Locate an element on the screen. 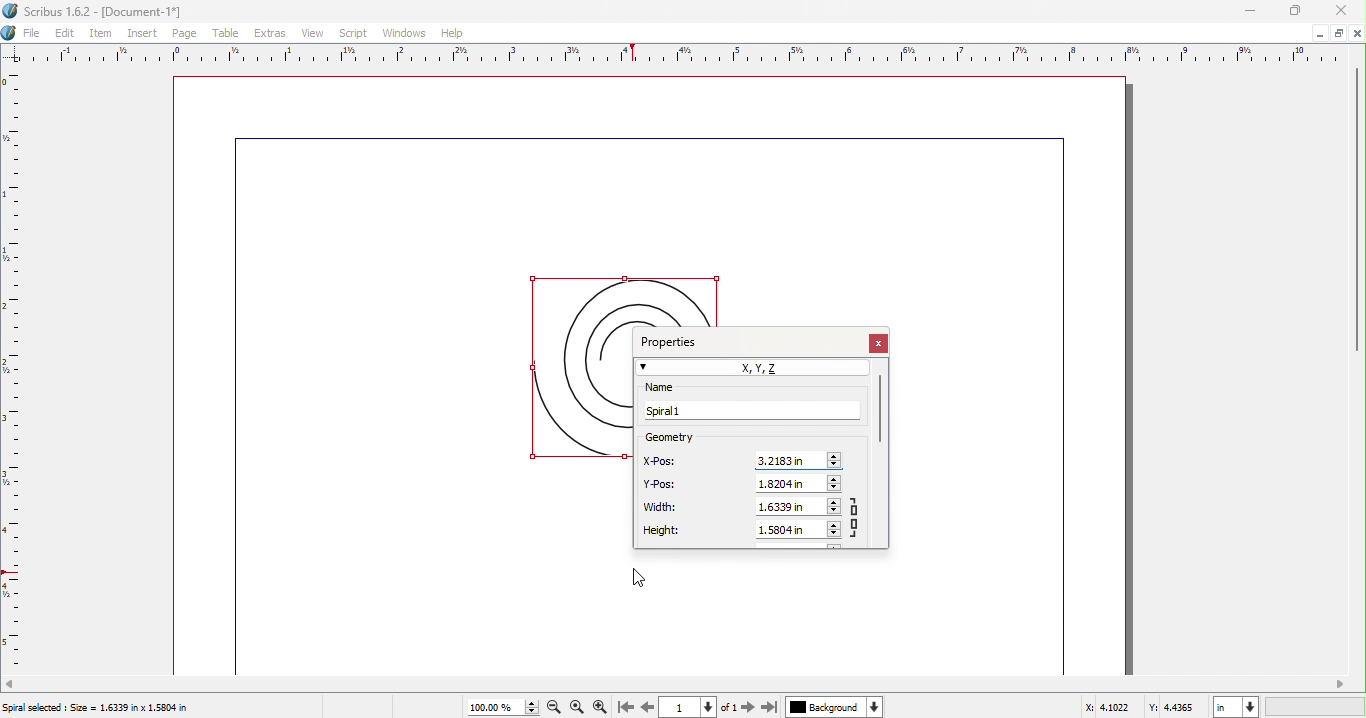 The image size is (1366, 718). increase width is located at coordinates (833, 501).